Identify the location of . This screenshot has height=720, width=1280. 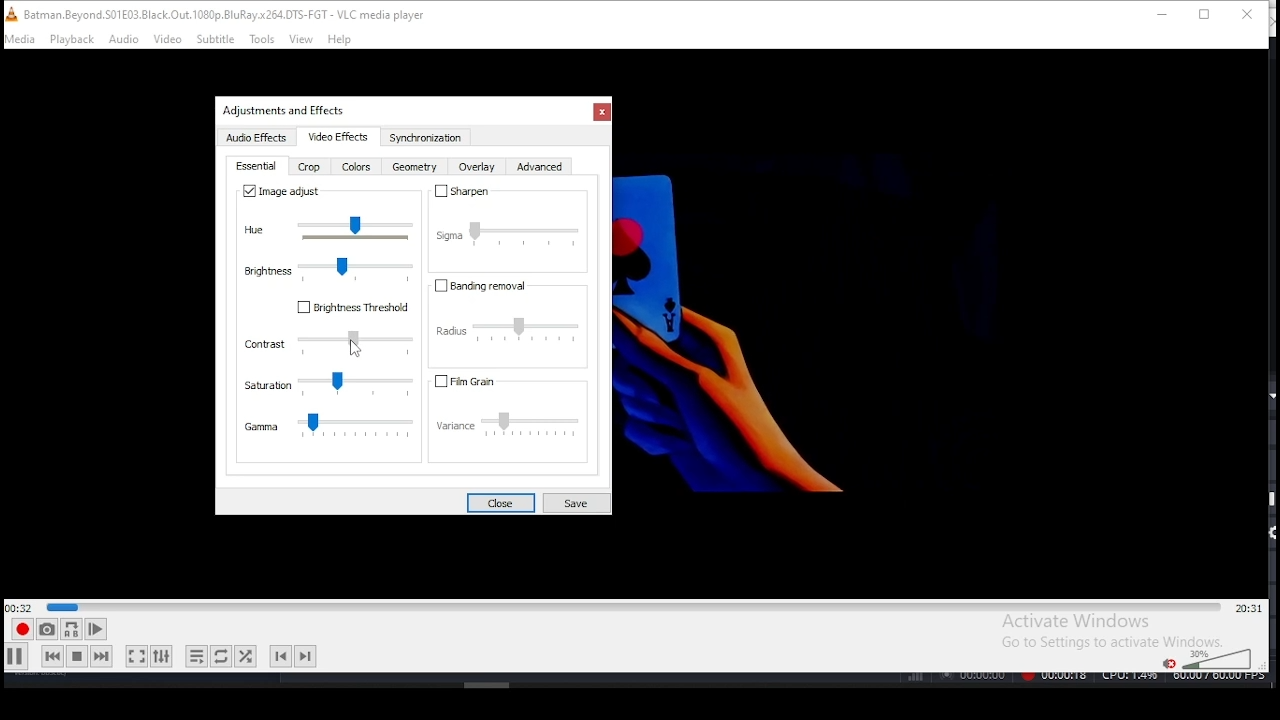
(1084, 679).